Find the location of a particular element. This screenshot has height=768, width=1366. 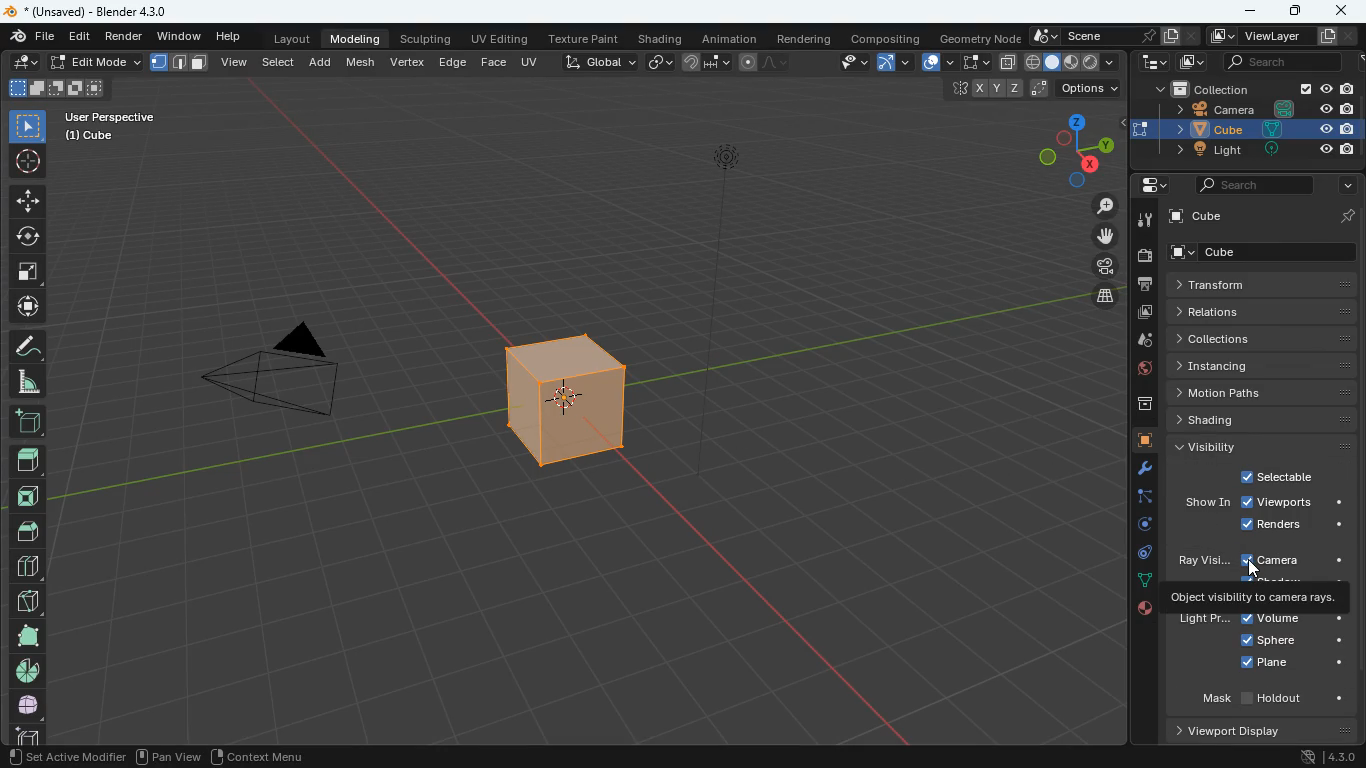

layers is located at coordinates (1106, 299).